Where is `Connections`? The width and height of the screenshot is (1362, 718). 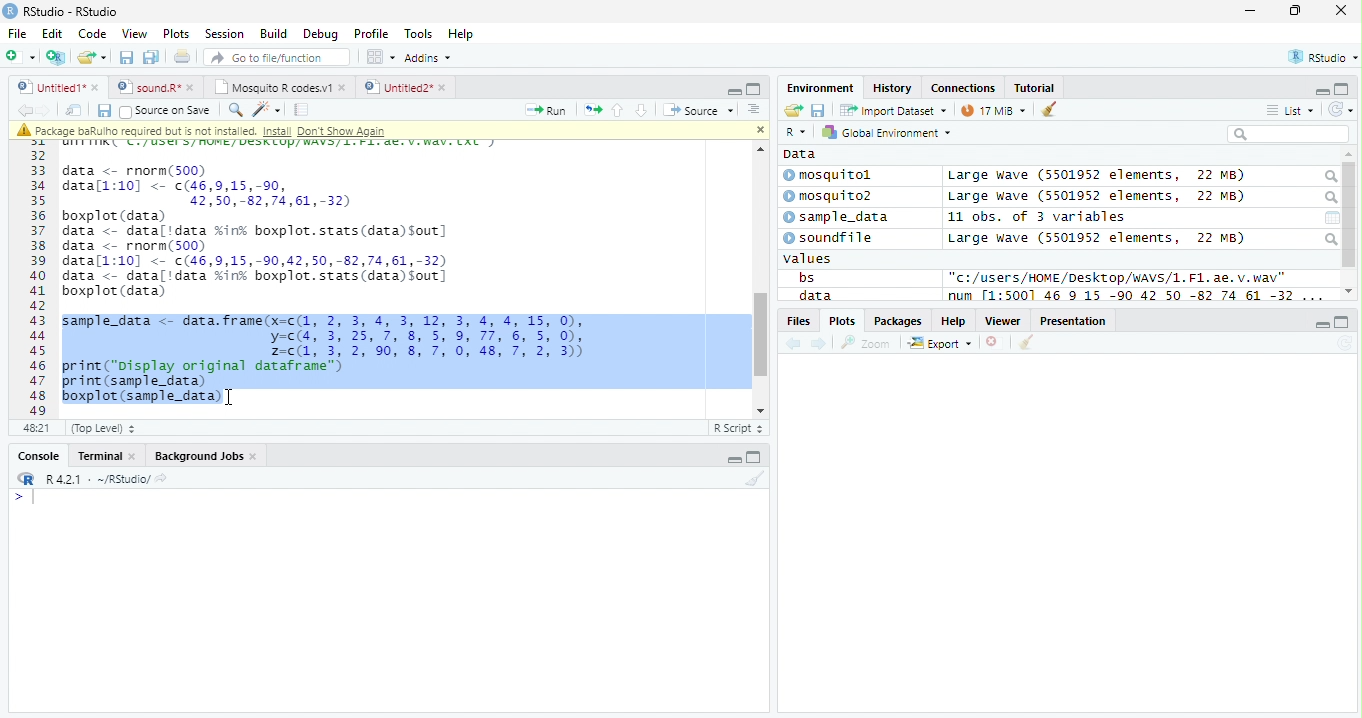
Connections is located at coordinates (964, 87).